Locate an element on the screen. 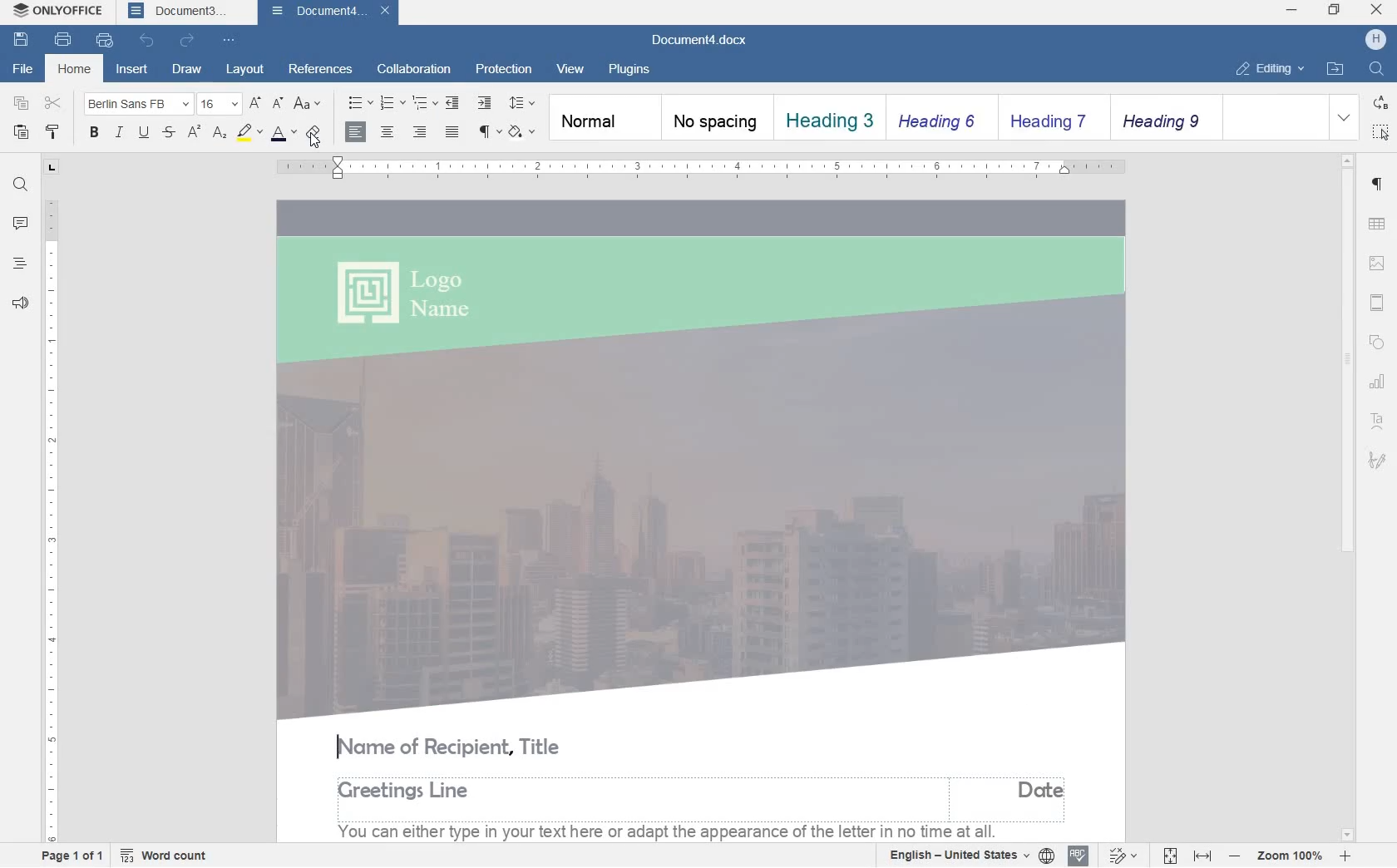 This screenshot has width=1397, height=868. superscript is located at coordinates (195, 133).